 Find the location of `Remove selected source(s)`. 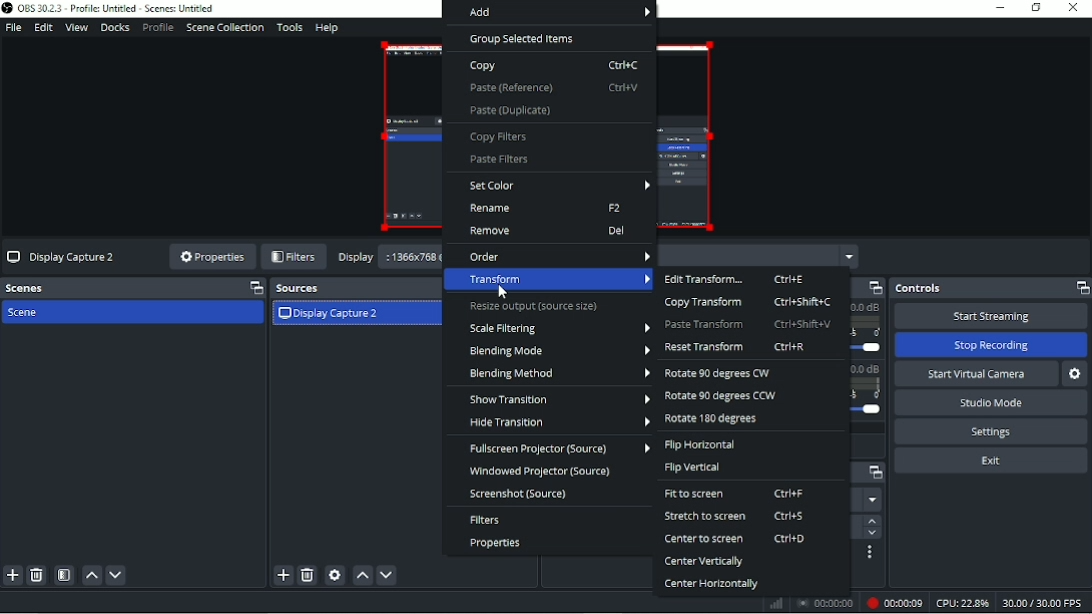

Remove selected source(s) is located at coordinates (307, 576).